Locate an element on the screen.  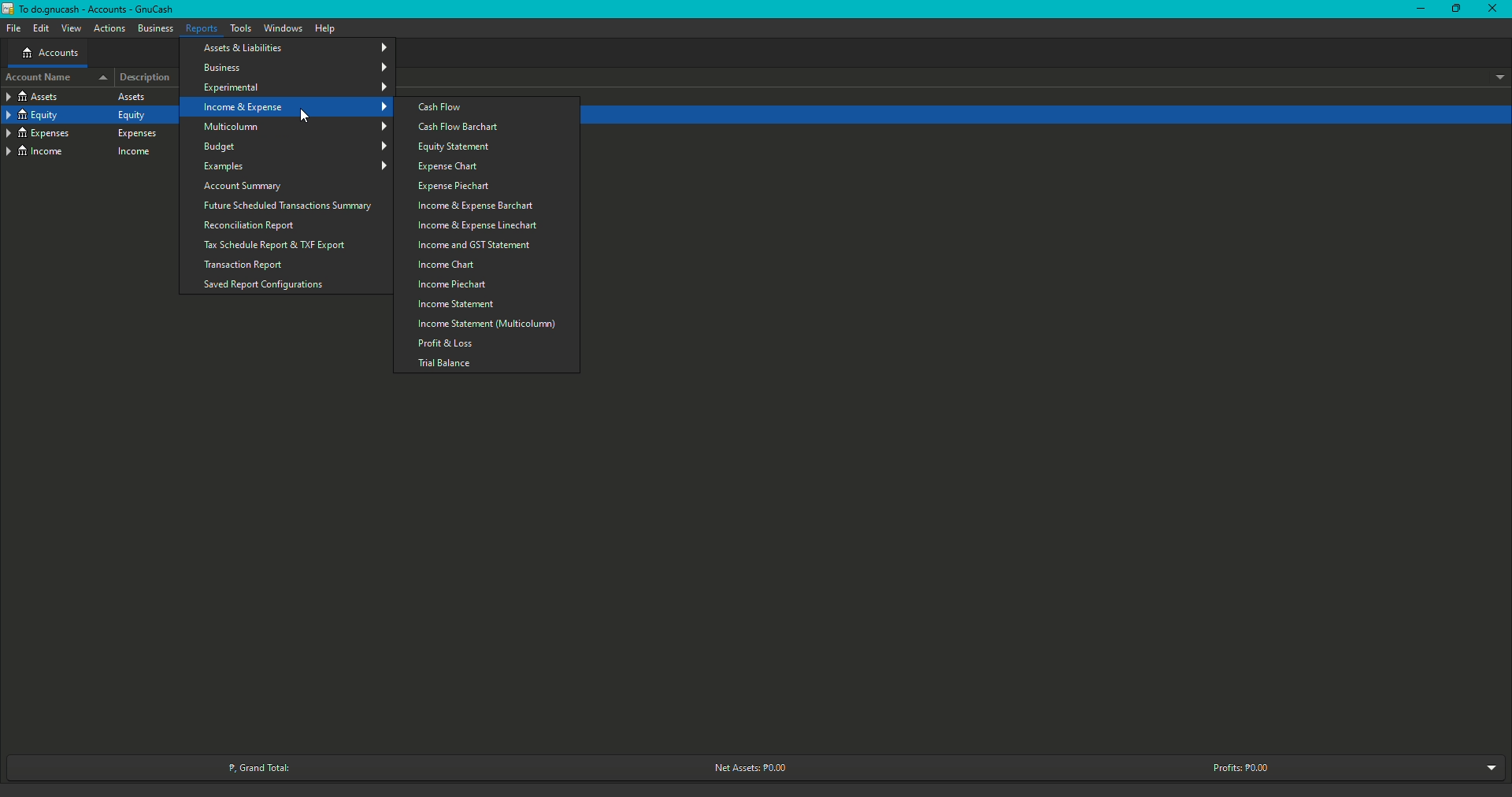
Business is located at coordinates (155, 27).